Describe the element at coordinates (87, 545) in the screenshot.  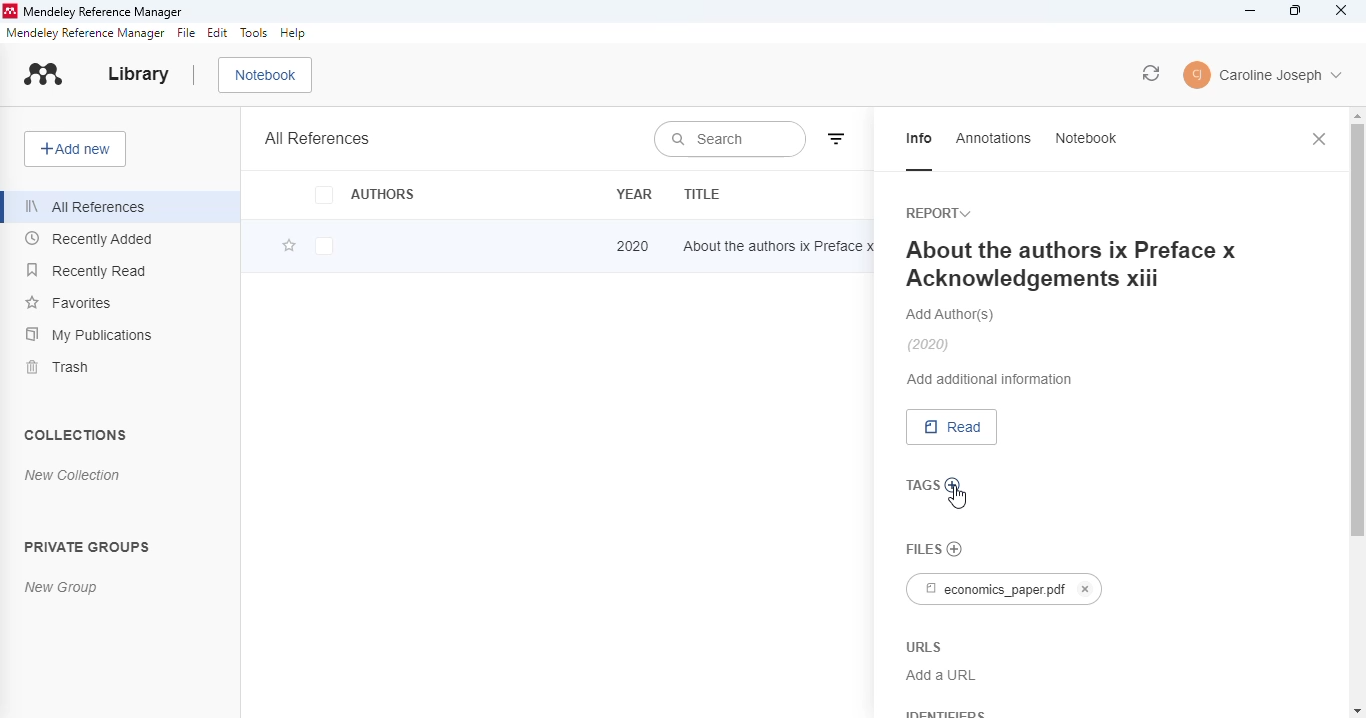
I see `private groups` at that location.